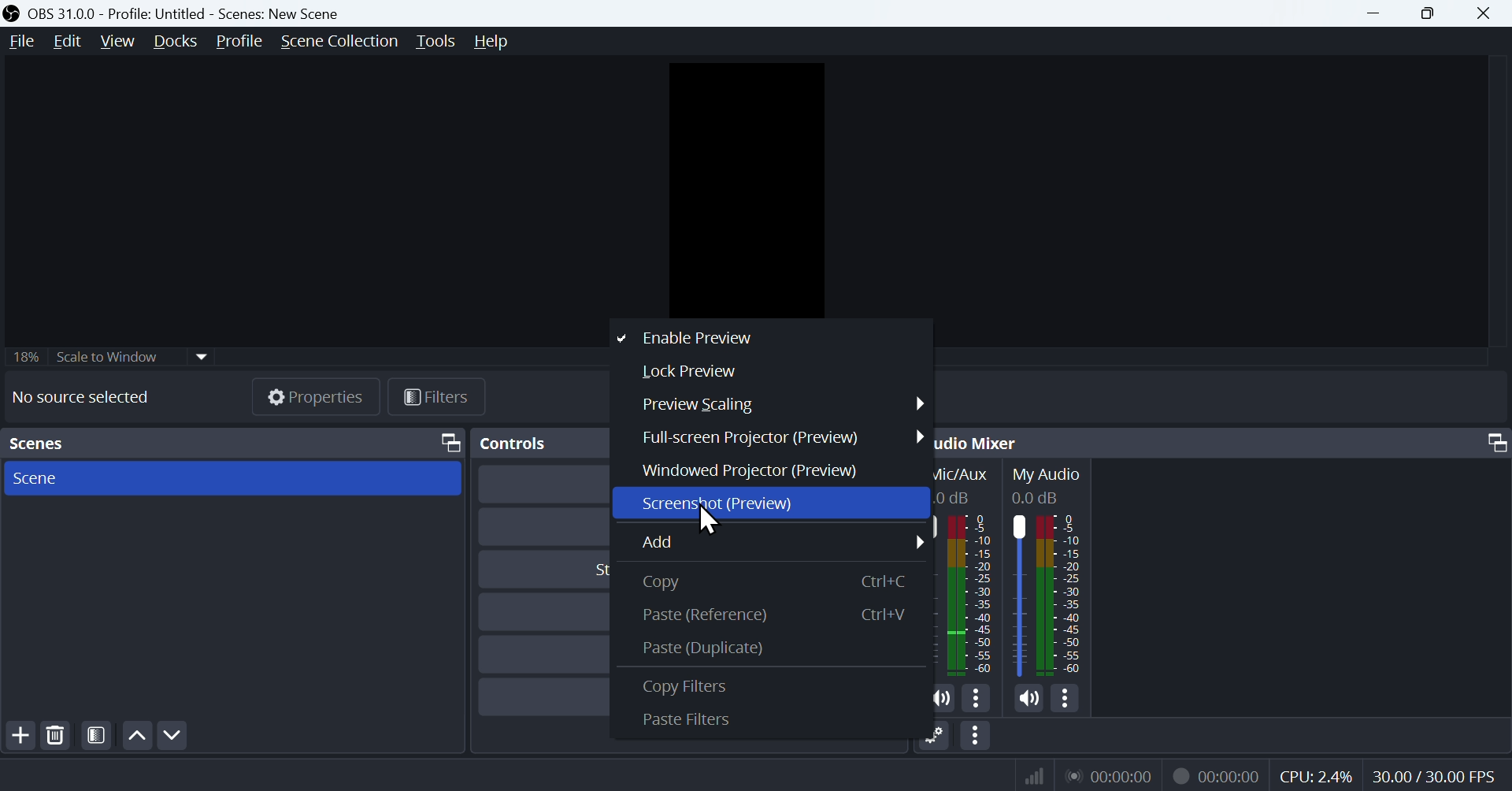 The height and width of the screenshot is (791, 1512). Describe the element at coordinates (117, 42) in the screenshot. I see `View` at that location.